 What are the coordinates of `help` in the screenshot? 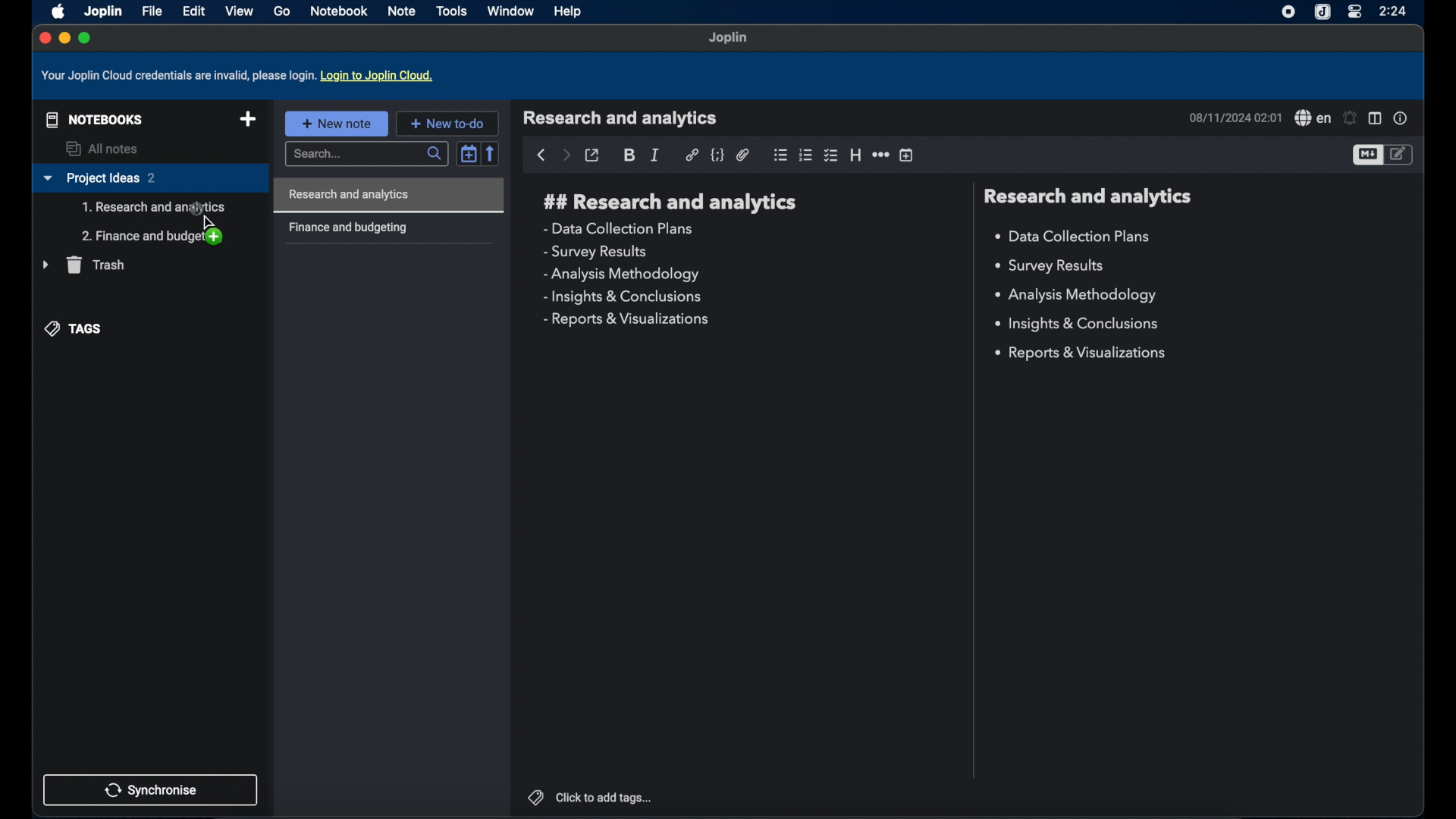 It's located at (569, 13).